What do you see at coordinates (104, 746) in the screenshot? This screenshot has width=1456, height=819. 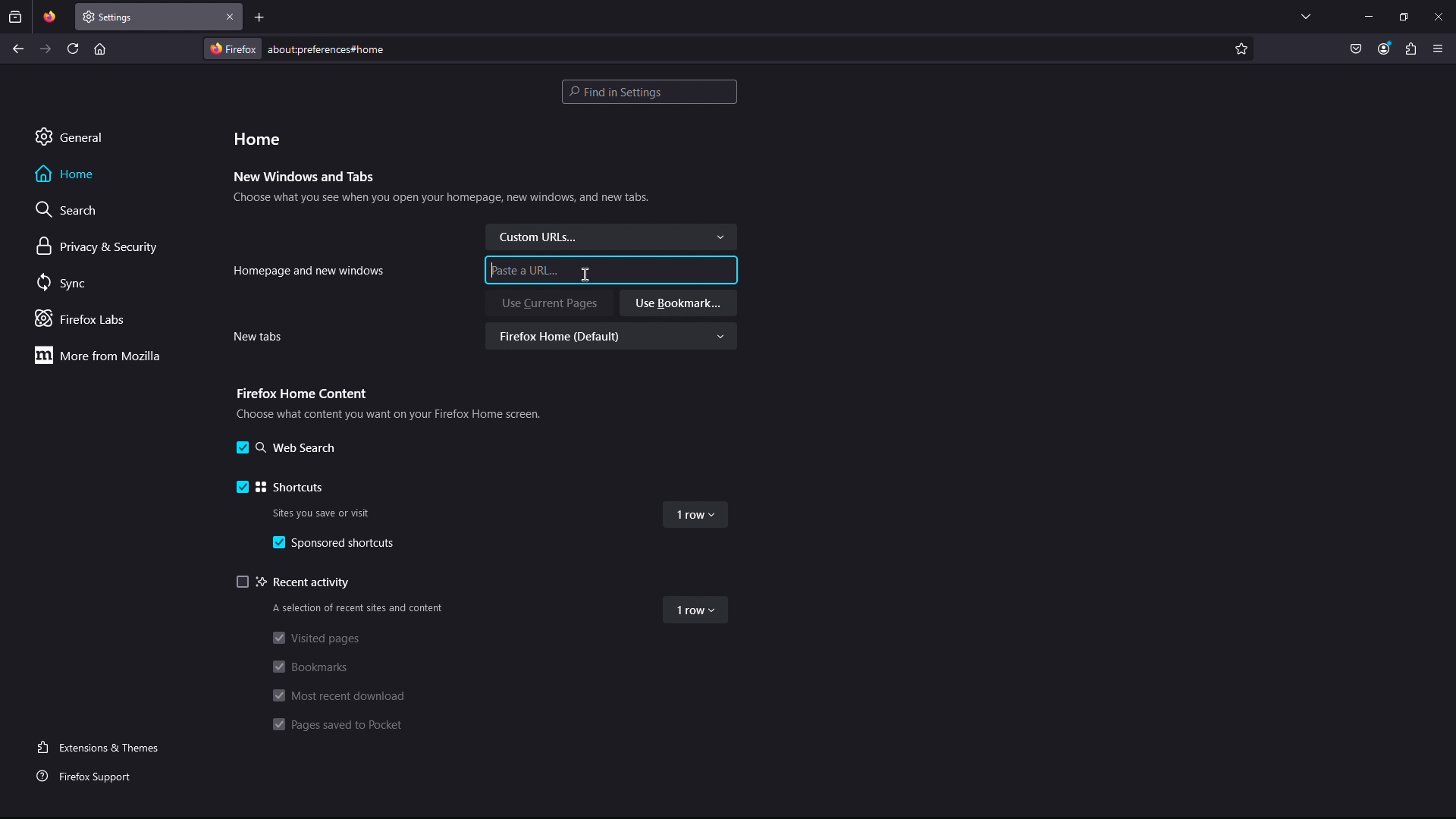 I see `Extensions and Themes` at bounding box center [104, 746].